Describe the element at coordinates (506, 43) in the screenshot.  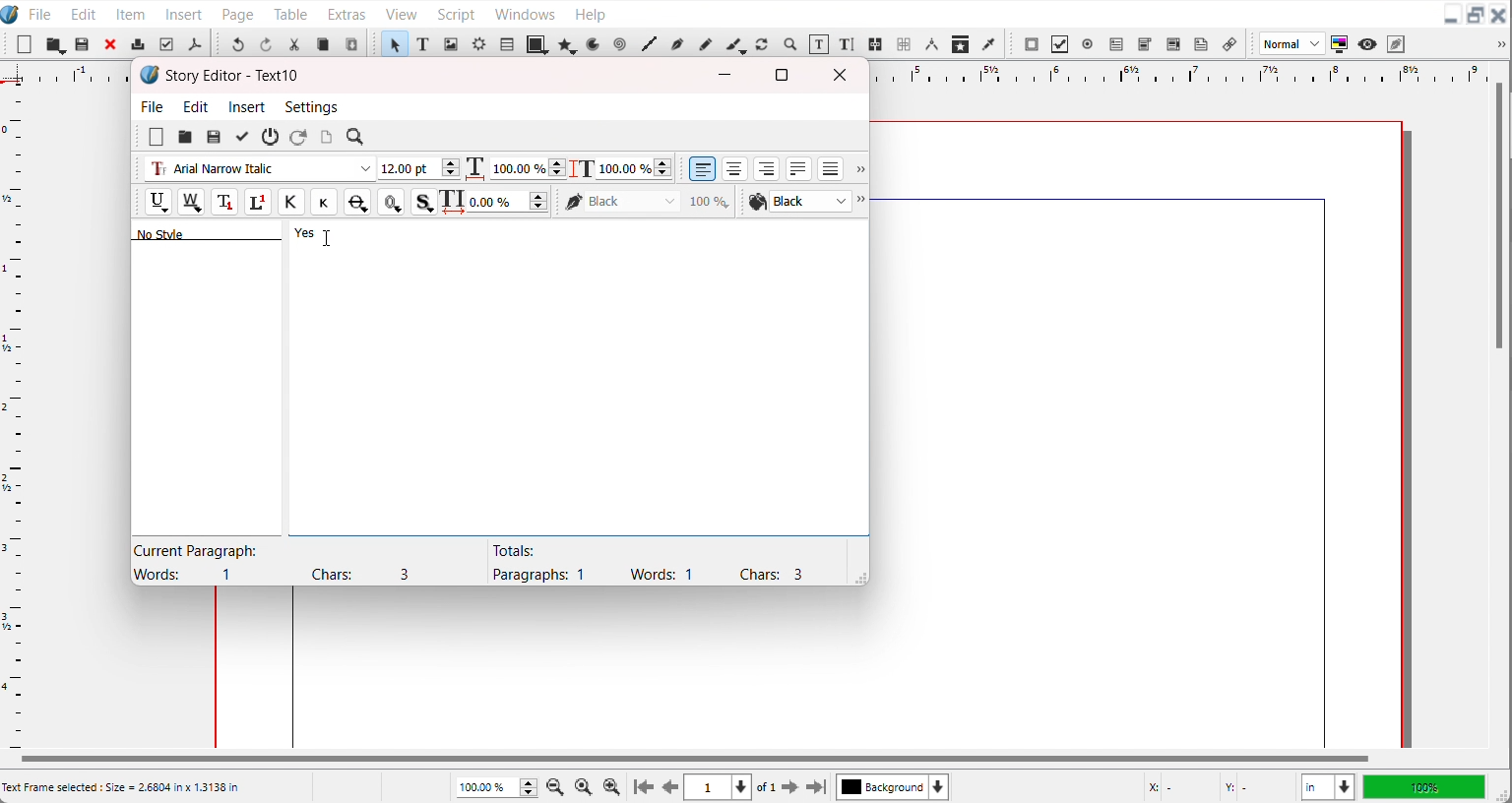
I see `Table` at that location.